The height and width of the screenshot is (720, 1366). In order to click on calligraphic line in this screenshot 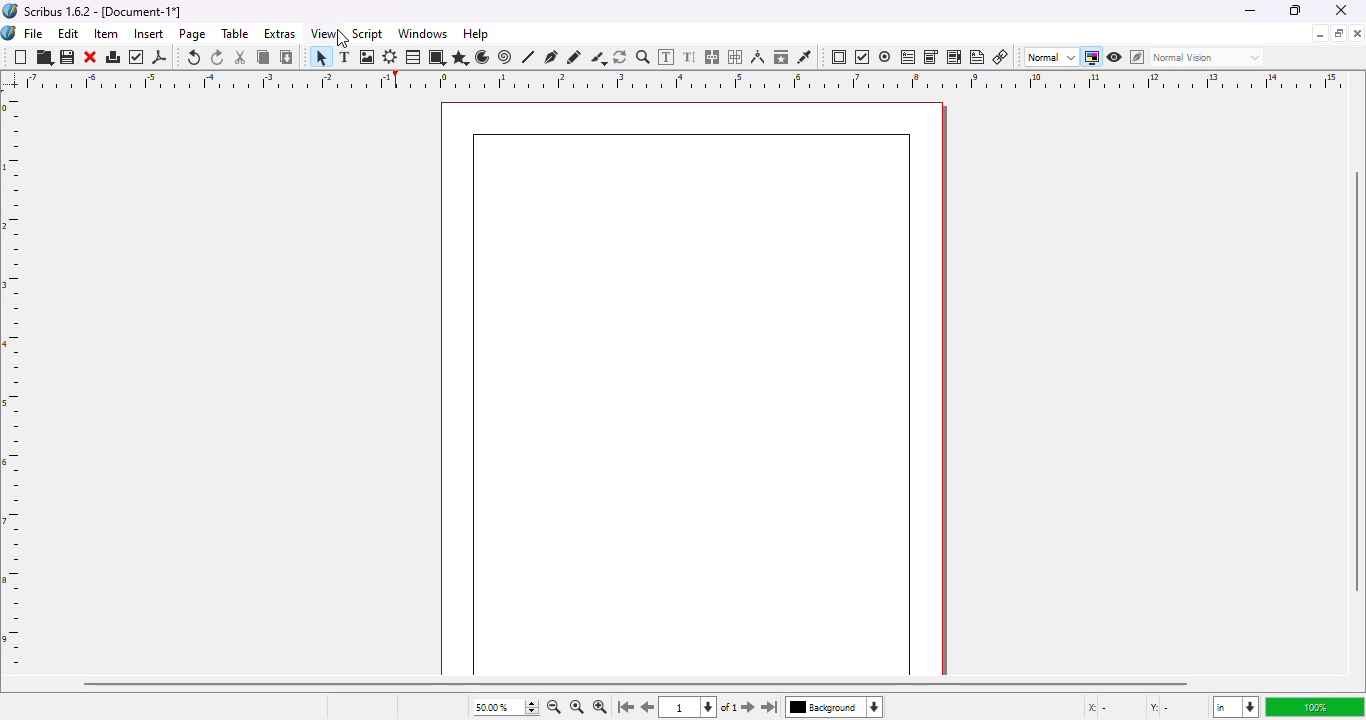, I will do `click(598, 58)`.